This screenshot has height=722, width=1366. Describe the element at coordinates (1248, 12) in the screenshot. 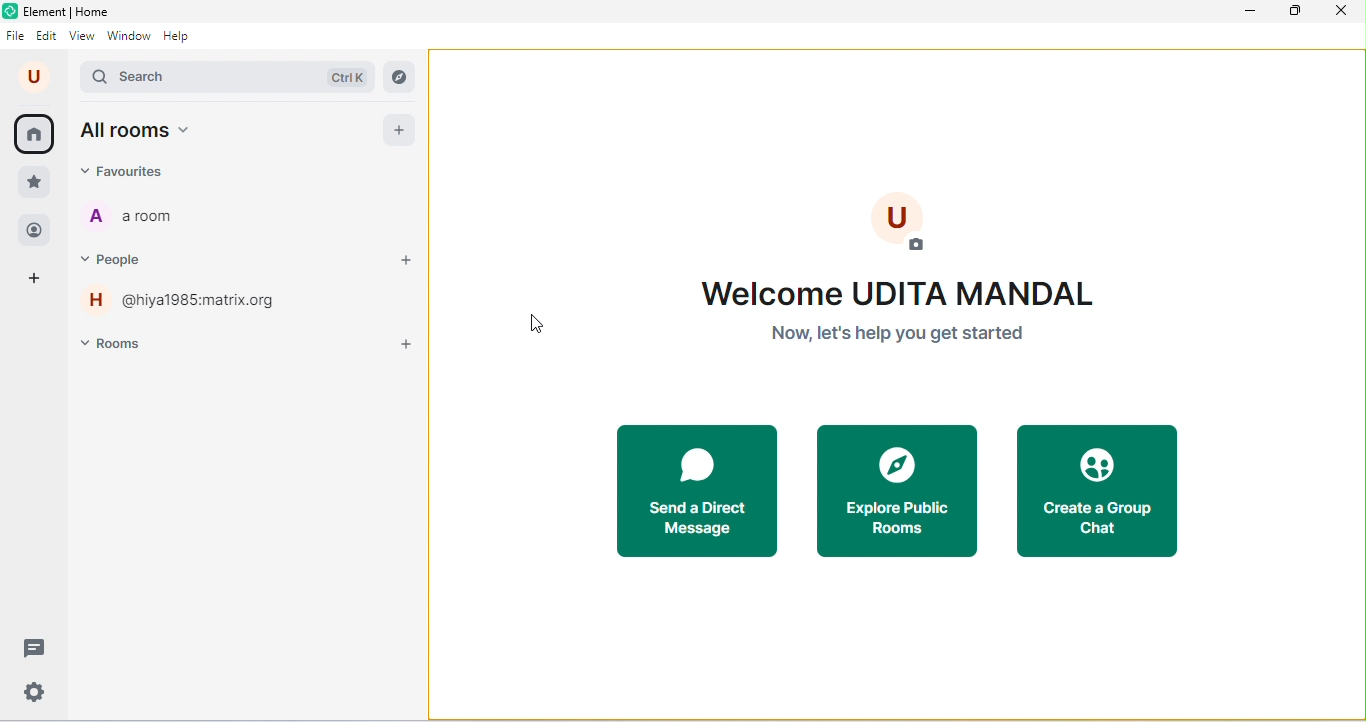

I see `minimize` at that location.